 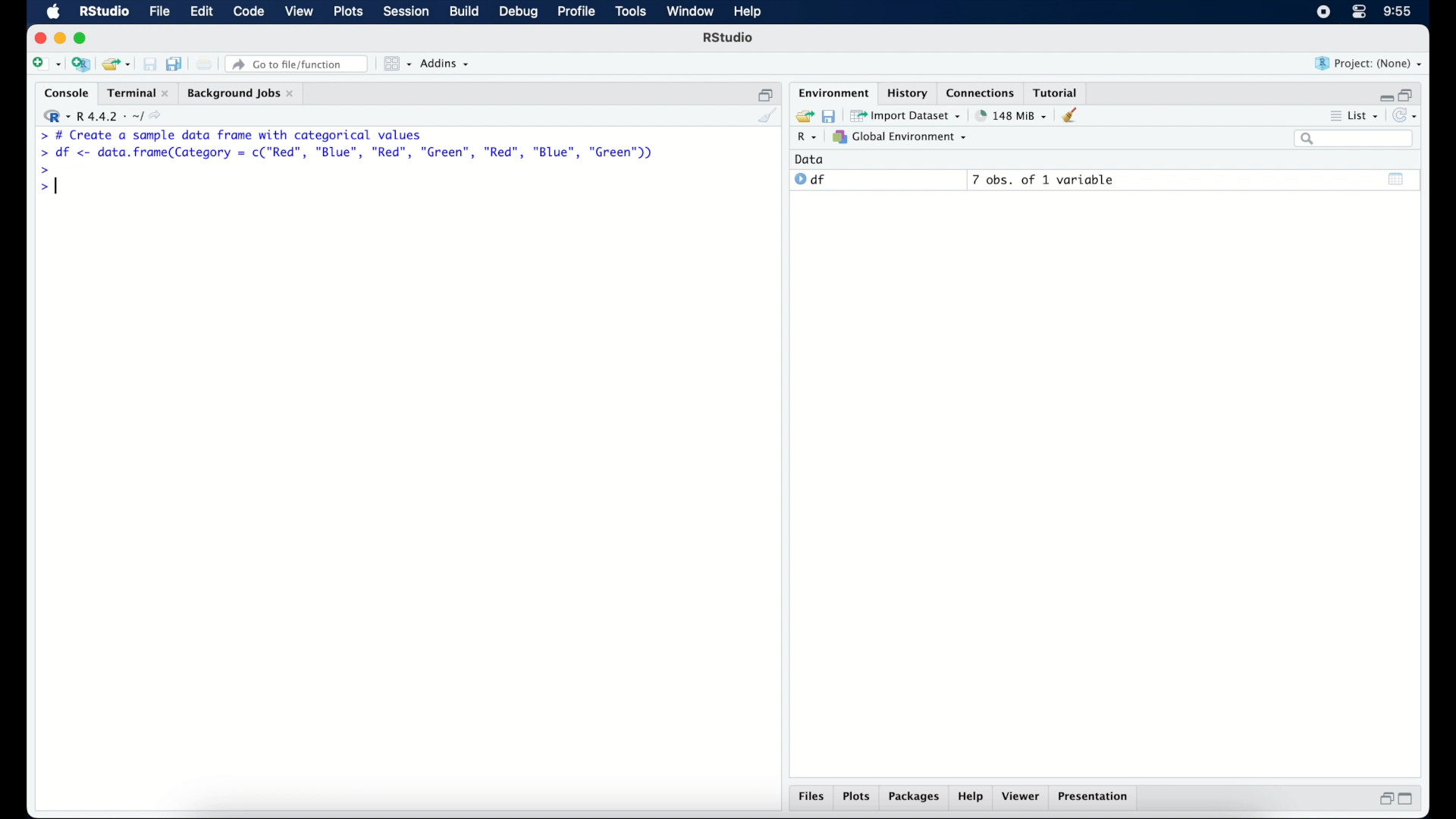 I want to click on save all open documents, so click(x=174, y=62).